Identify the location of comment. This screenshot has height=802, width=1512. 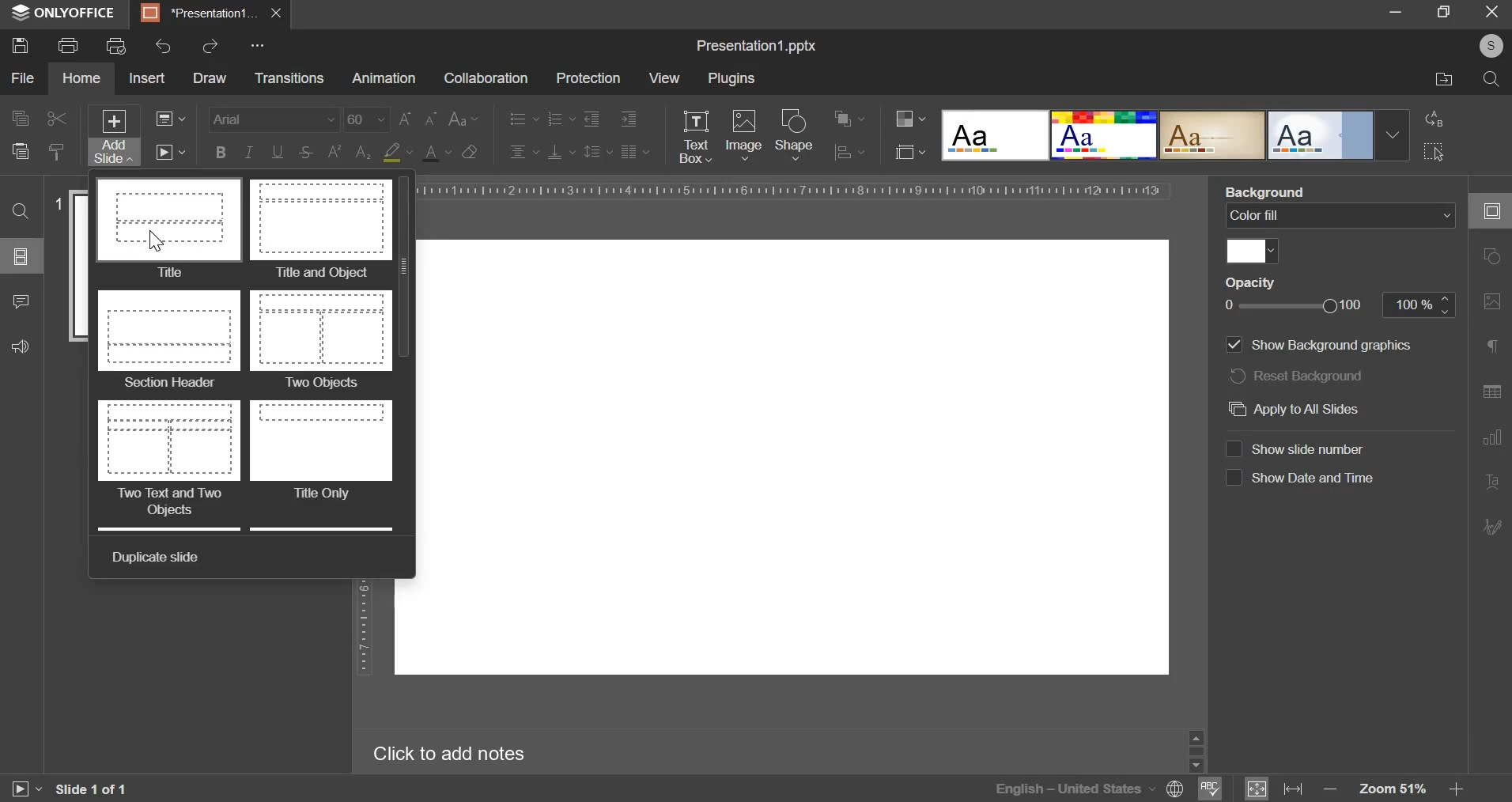
(20, 299).